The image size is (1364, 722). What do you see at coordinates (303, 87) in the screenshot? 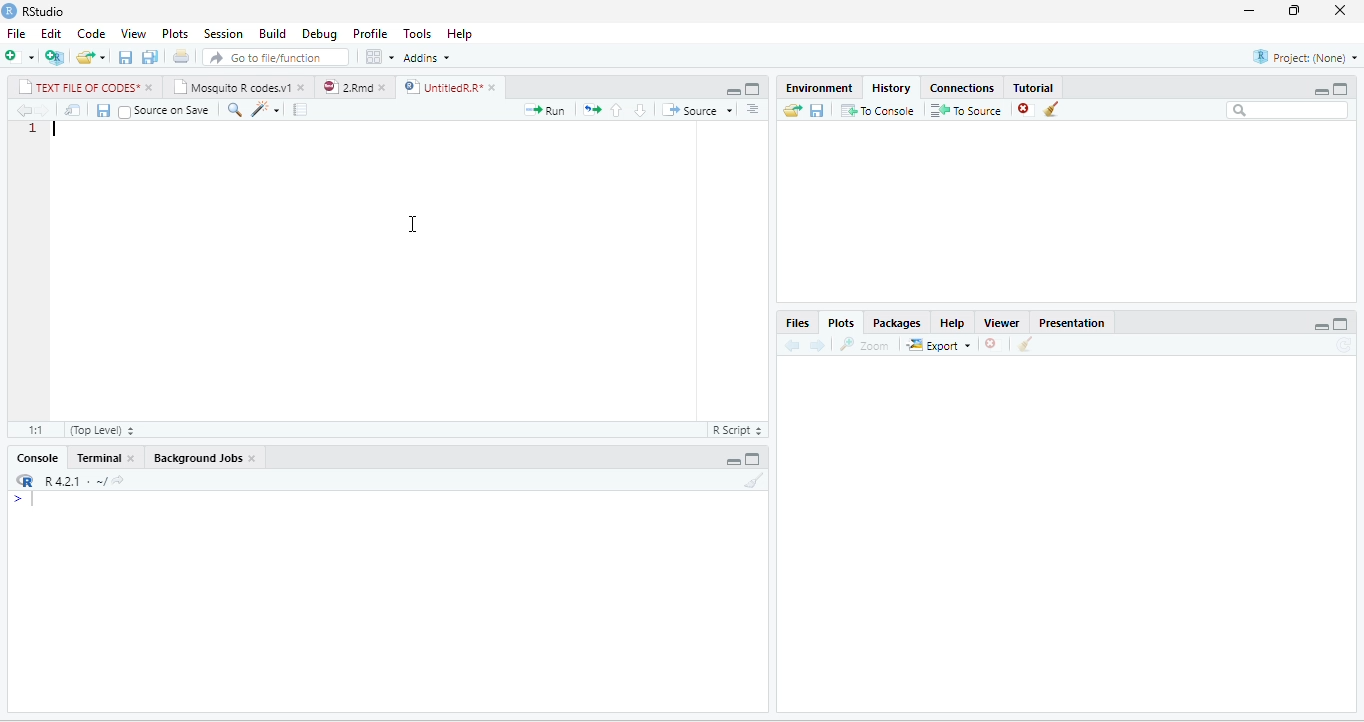
I see `close` at bounding box center [303, 87].